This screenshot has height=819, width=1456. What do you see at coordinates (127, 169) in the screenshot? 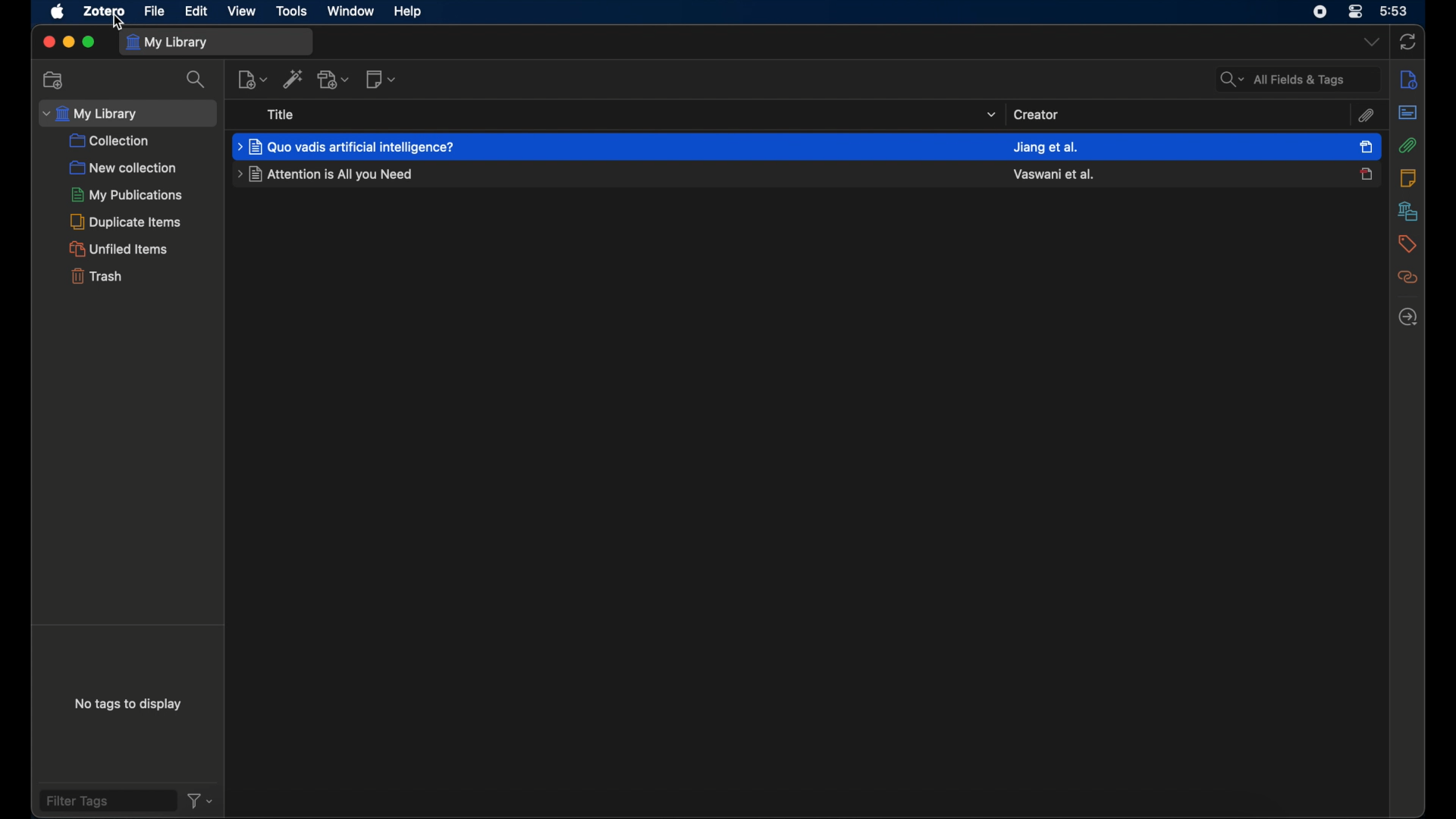
I see `new collection` at bounding box center [127, 169].